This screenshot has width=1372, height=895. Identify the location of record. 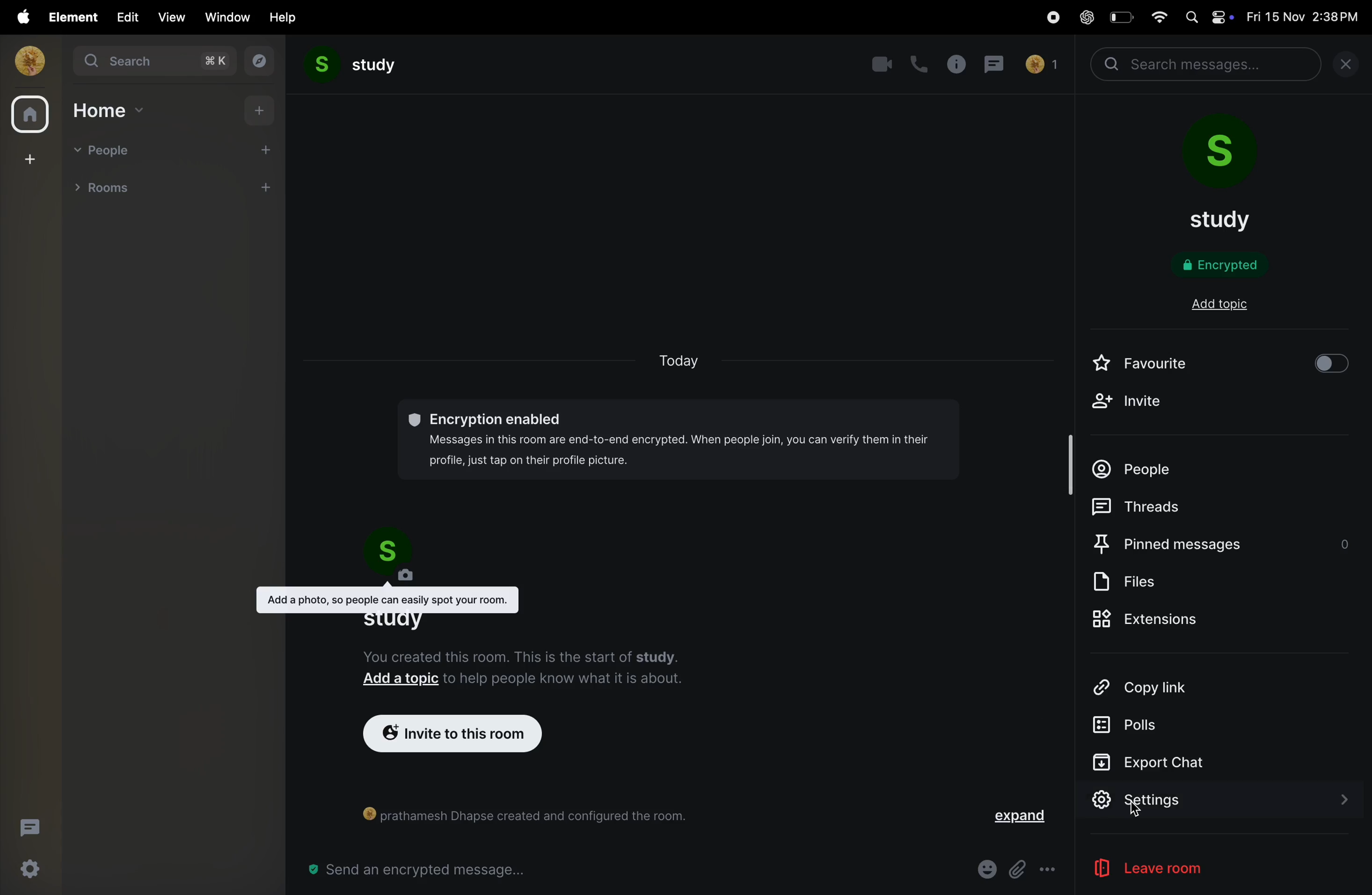
(1048, 18).